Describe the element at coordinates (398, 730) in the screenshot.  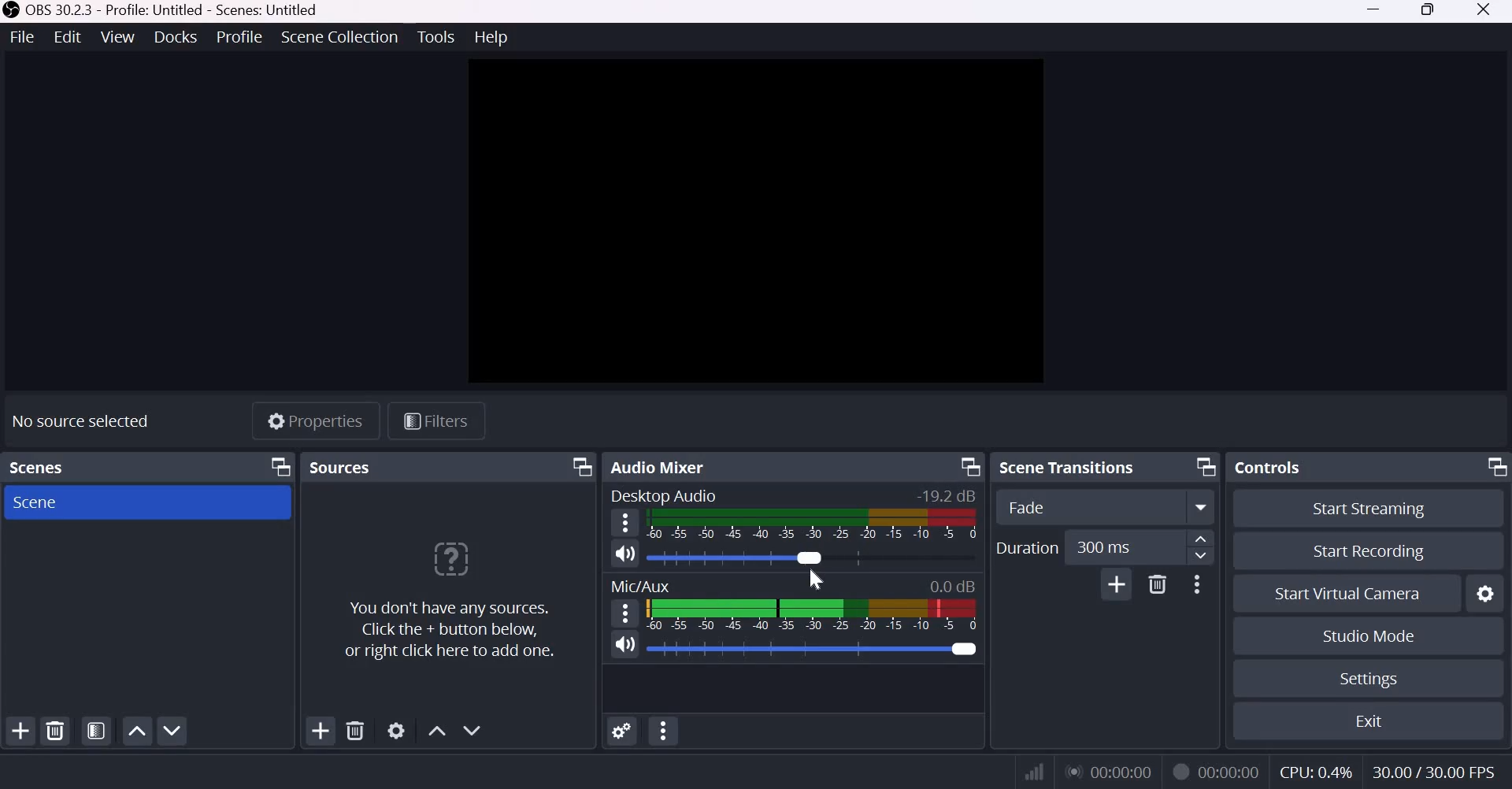
I see `Open source properties` at that location.